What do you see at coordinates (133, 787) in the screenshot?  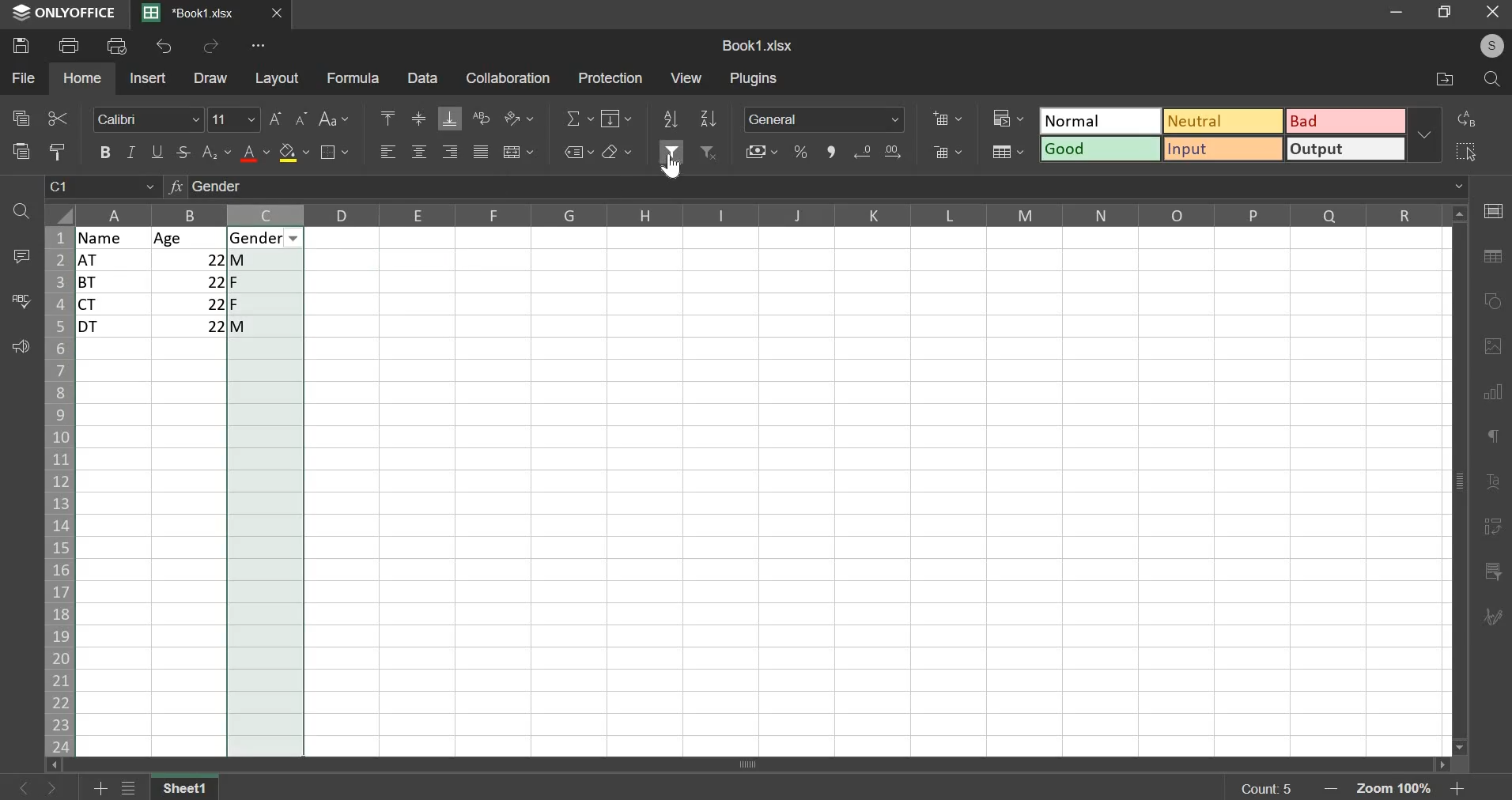 I see `list of sheets` at bounding box center [133, 787].